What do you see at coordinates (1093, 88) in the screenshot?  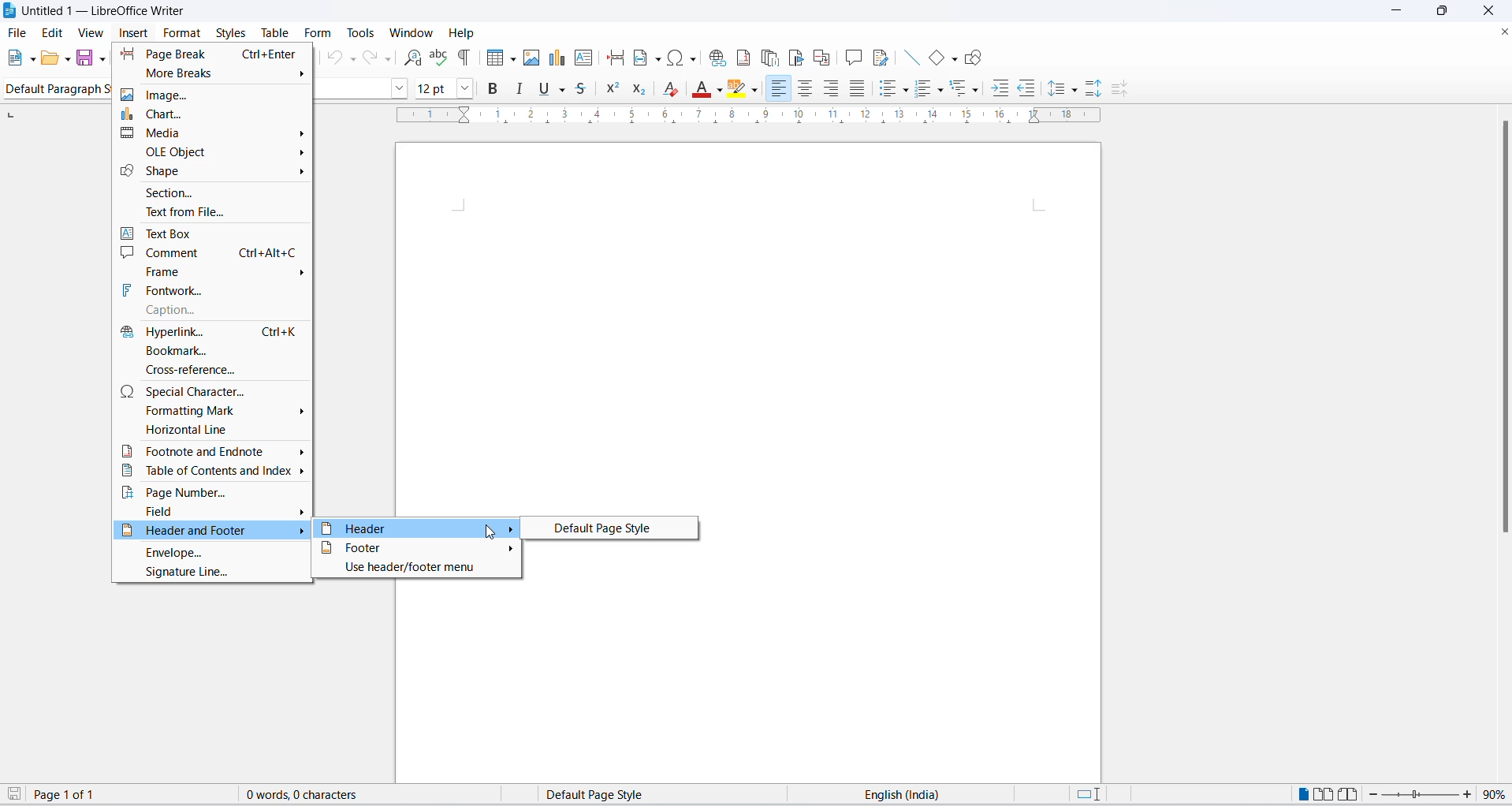 I see `increase paragraph spacing` at bounding box center [1093, 88].